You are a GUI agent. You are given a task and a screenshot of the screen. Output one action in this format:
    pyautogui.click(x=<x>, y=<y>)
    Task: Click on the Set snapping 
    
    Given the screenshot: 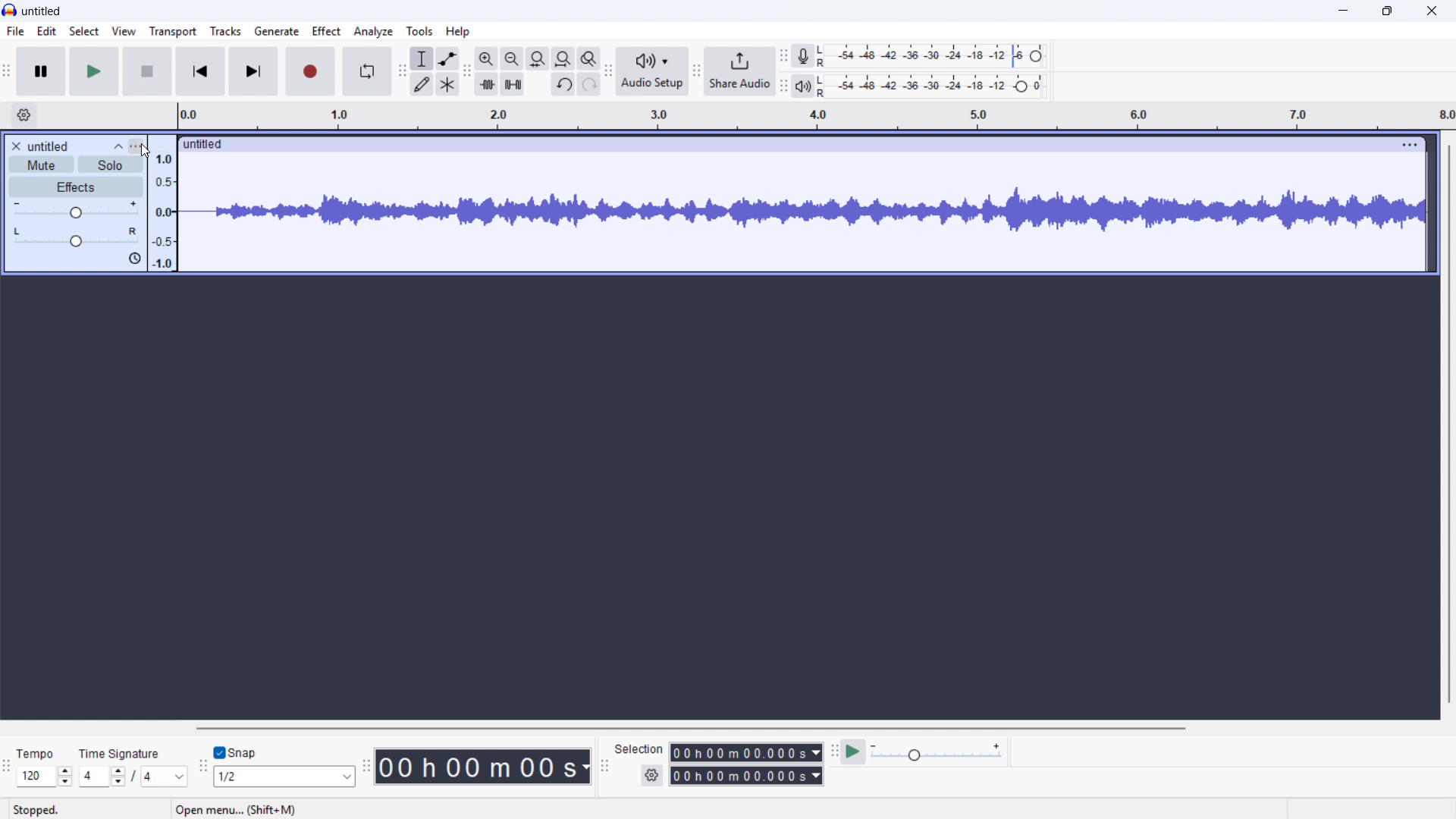 What is the action you would take?
    pyautogui.click(x=284, y=776)
    